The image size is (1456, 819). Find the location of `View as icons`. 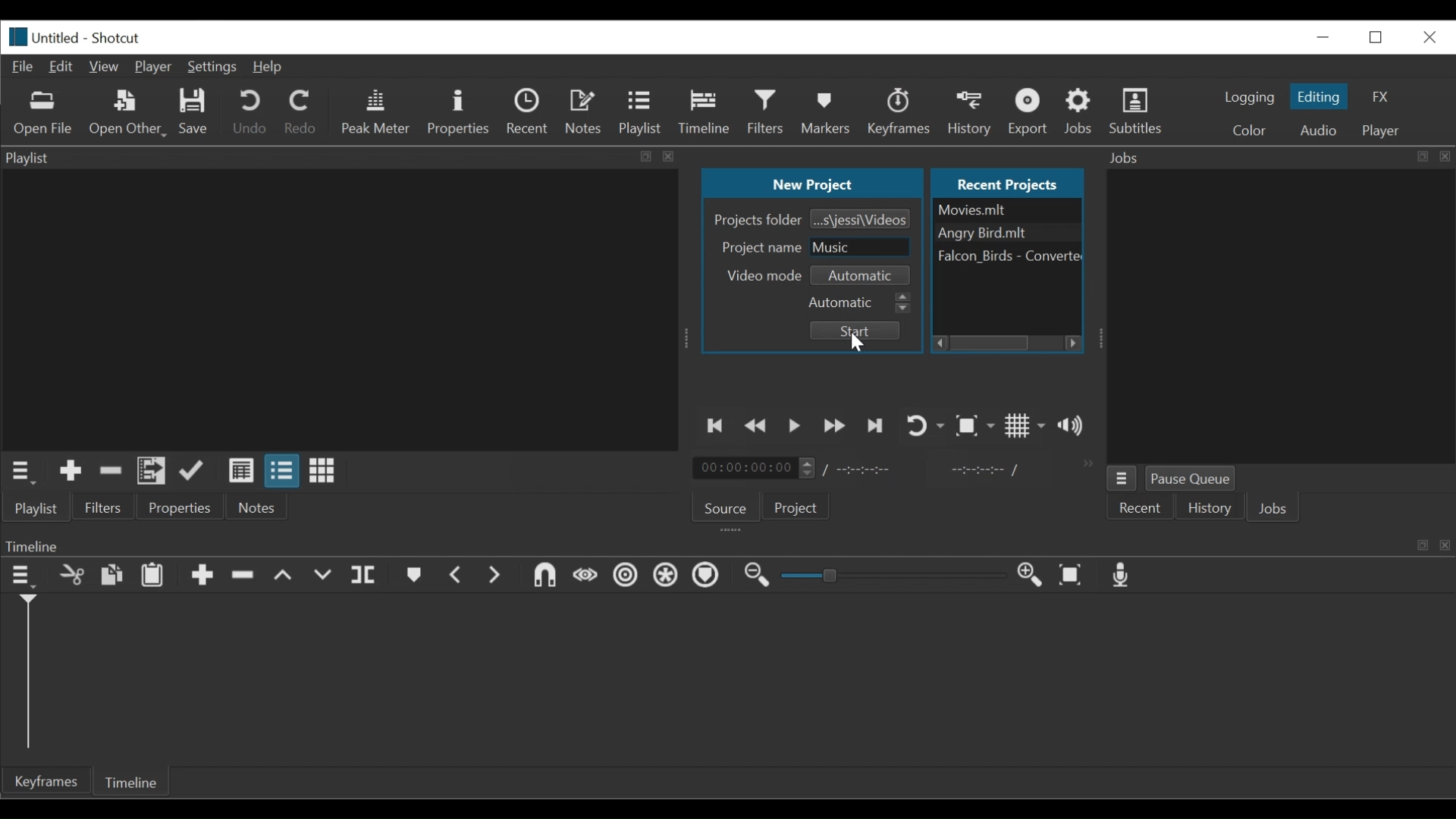

View as icons is located at coordinates (325, 472).